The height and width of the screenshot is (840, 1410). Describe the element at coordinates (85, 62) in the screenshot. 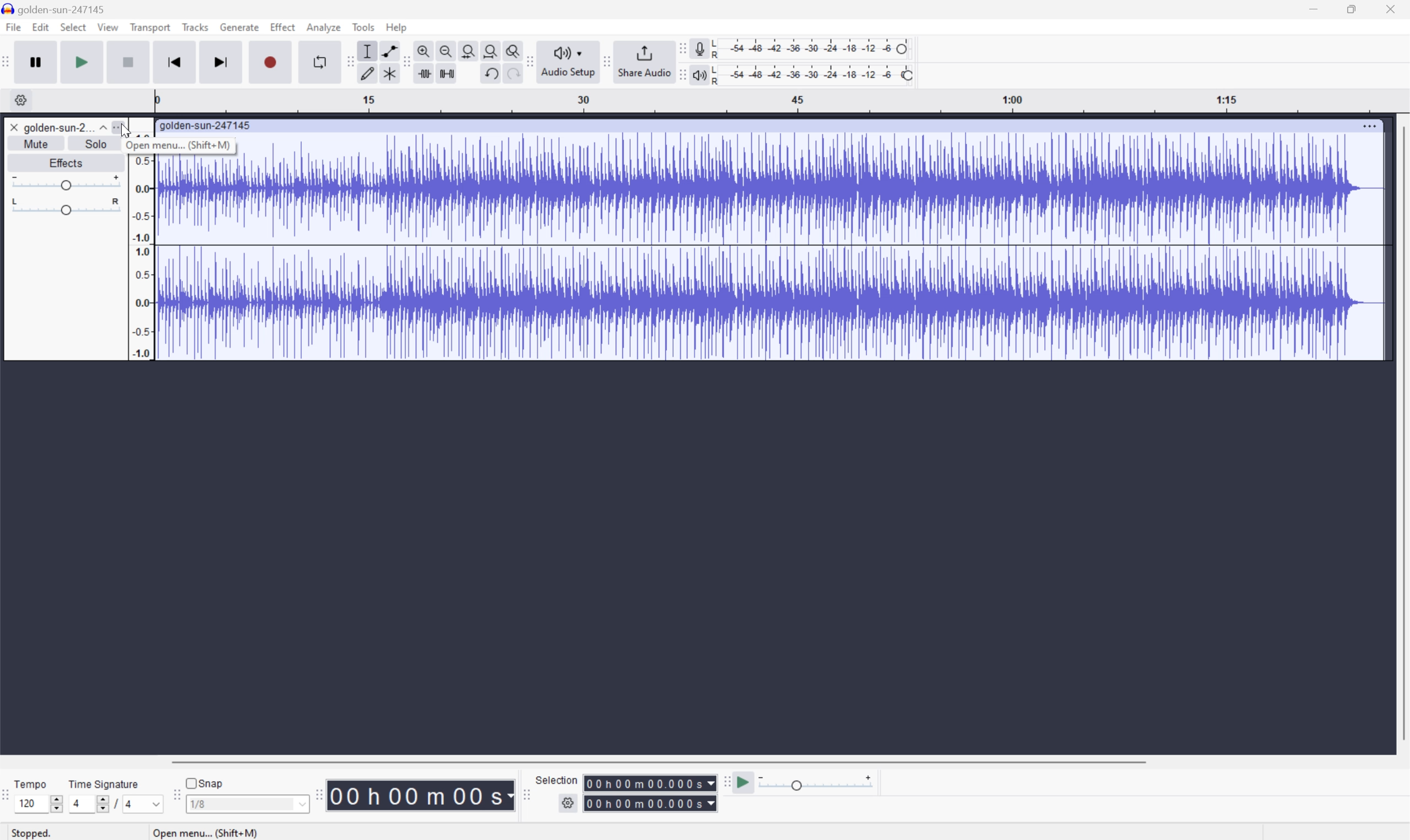

I see `Play` at that location.